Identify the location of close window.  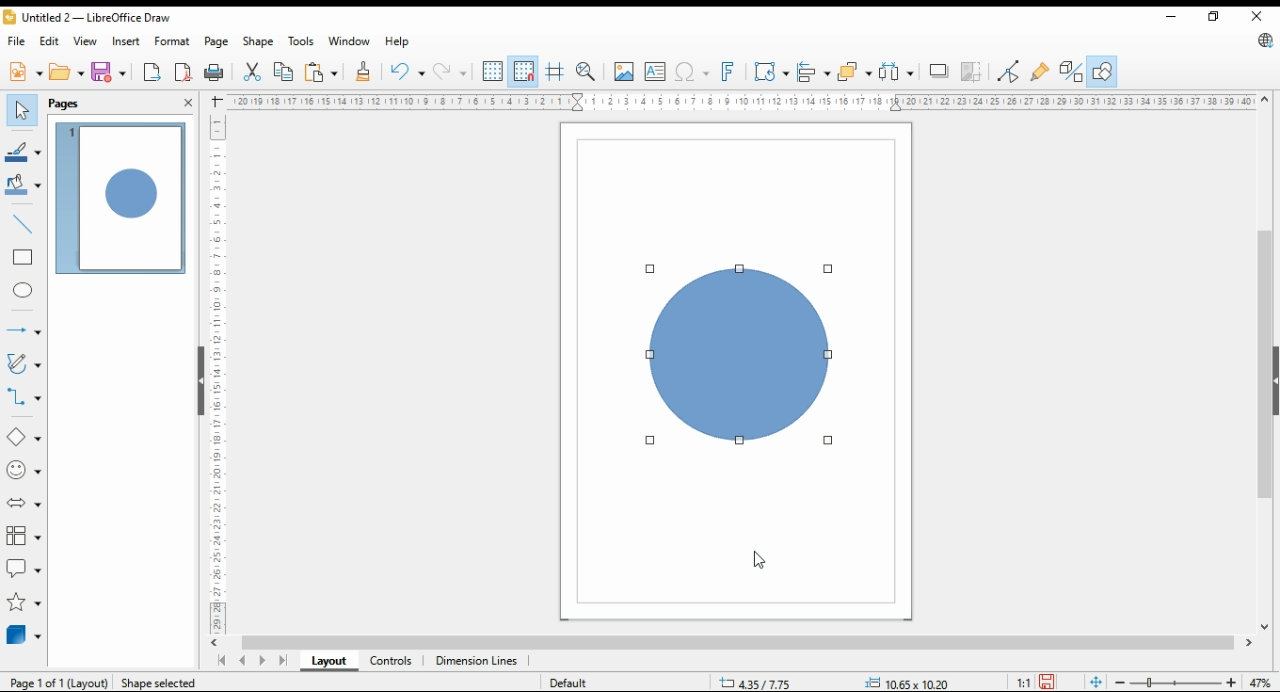
(1257, 16).